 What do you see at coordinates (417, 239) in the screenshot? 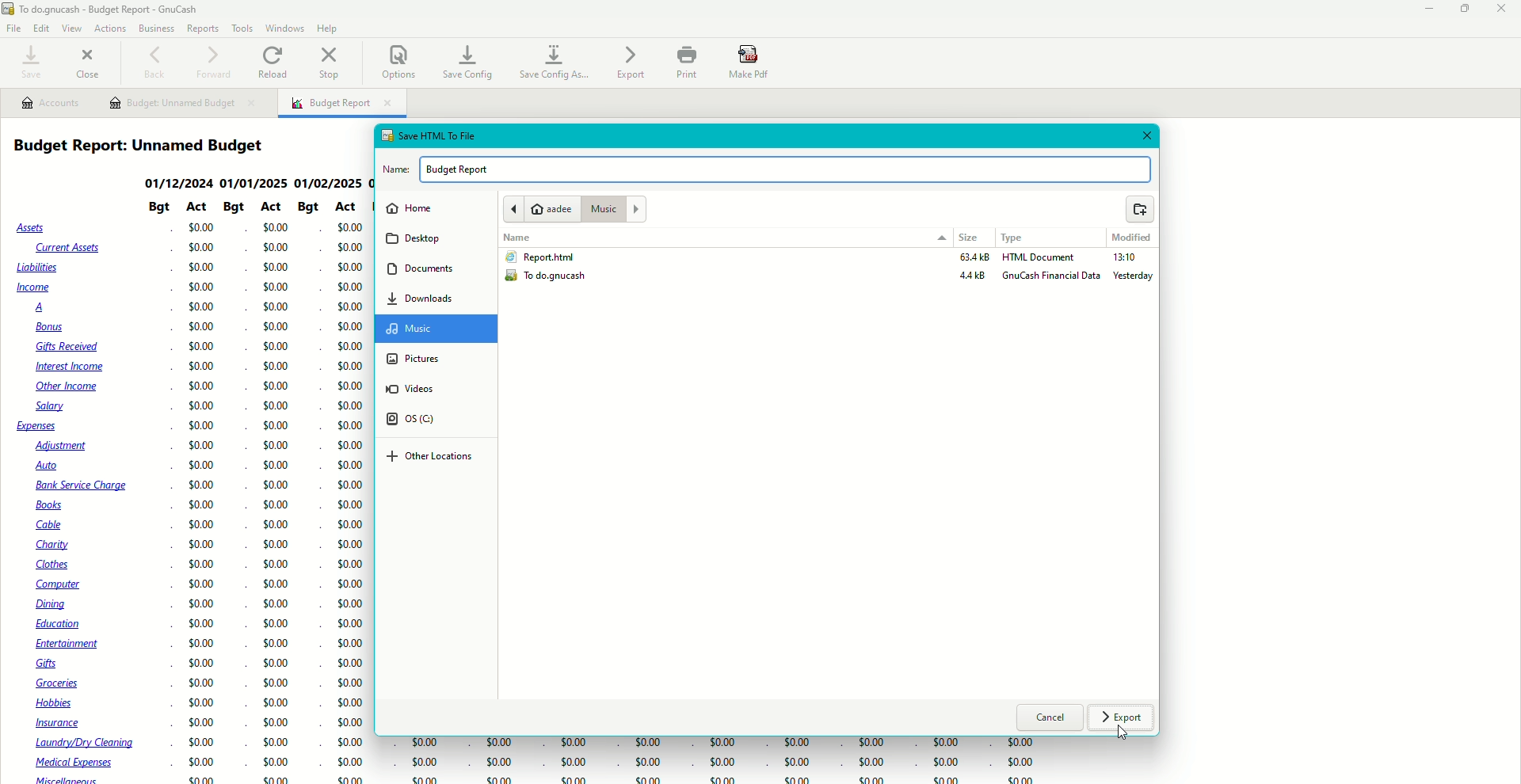
I see `Desktop` at bounding box center [417, 239].